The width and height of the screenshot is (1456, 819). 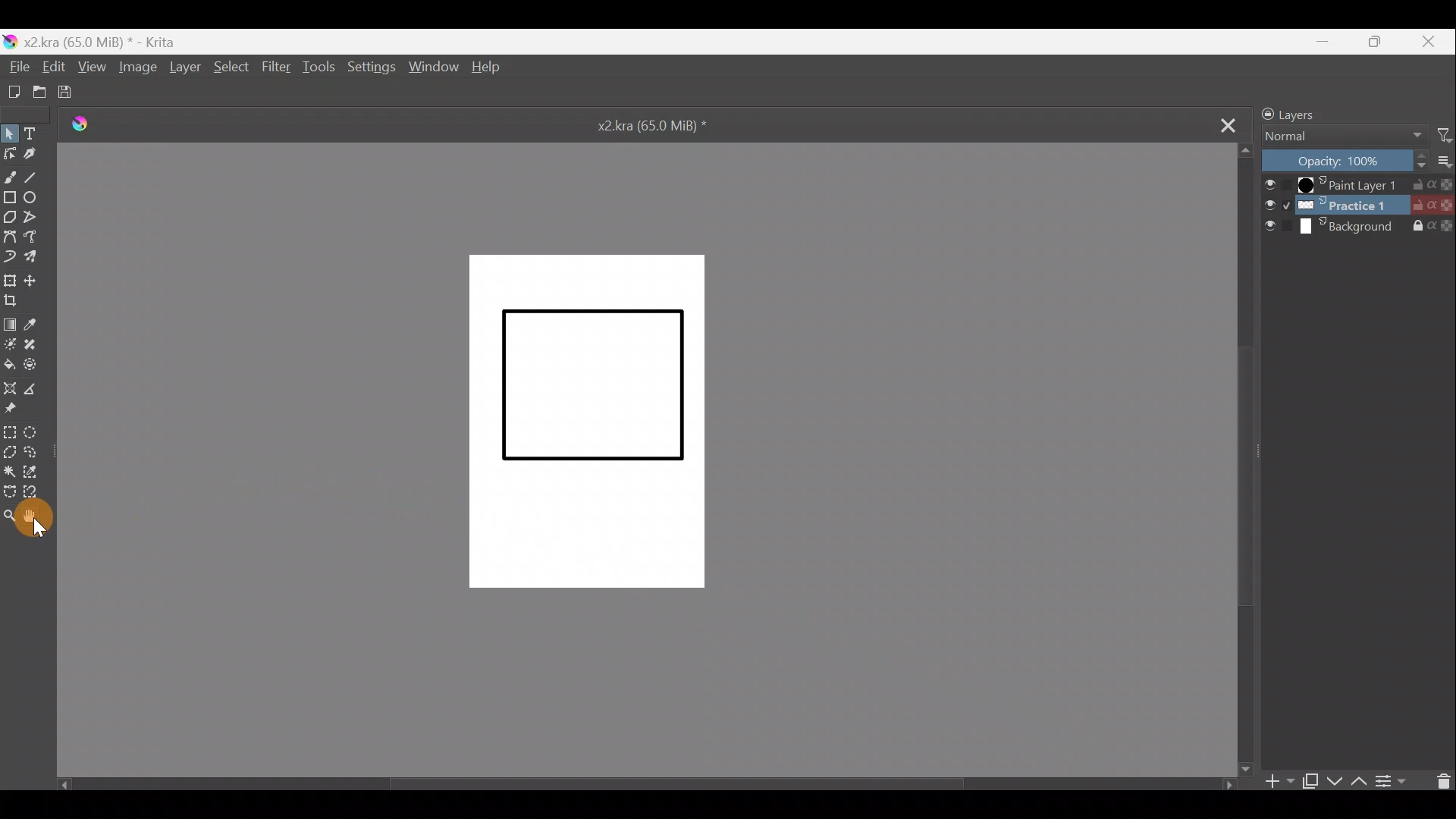 What do you see at coordinates (71, 93) in the screenshot?
I see `Save` at bounding box center [71, 93].